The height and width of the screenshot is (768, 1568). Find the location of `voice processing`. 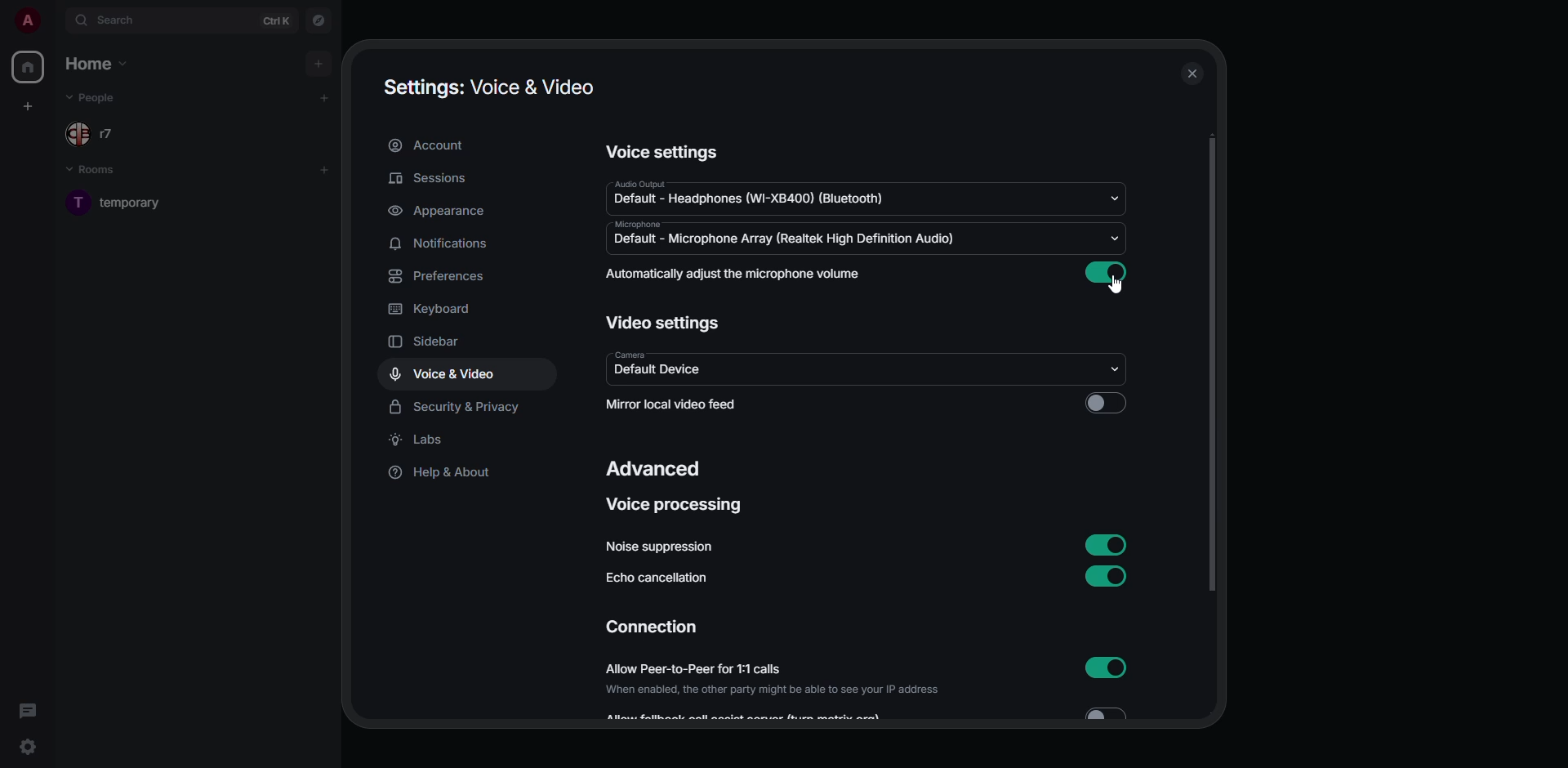

voice processing is located at coordinates (674, 503).